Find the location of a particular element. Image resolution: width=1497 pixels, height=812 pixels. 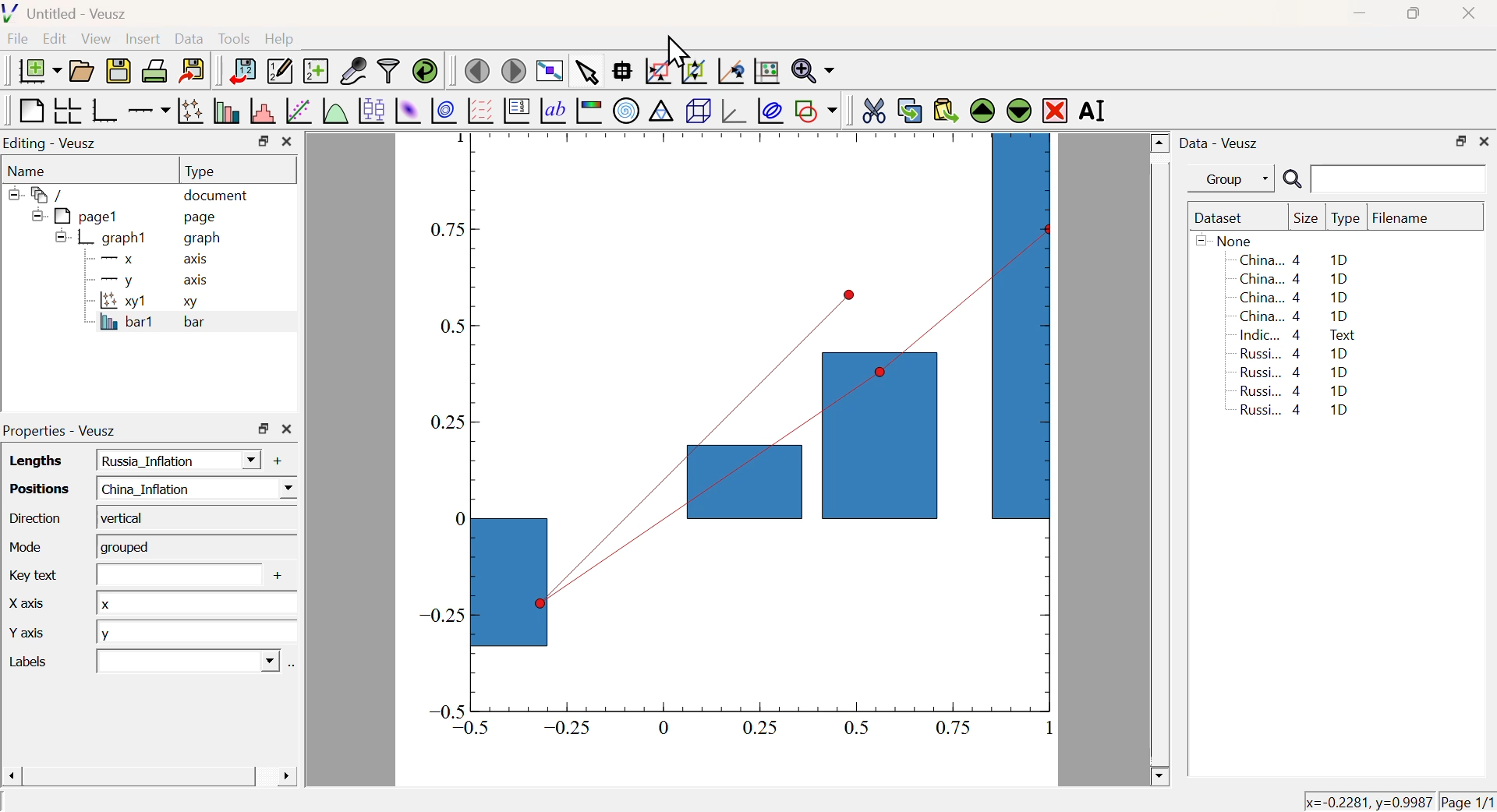

Add is located at coordinates (270, 461).